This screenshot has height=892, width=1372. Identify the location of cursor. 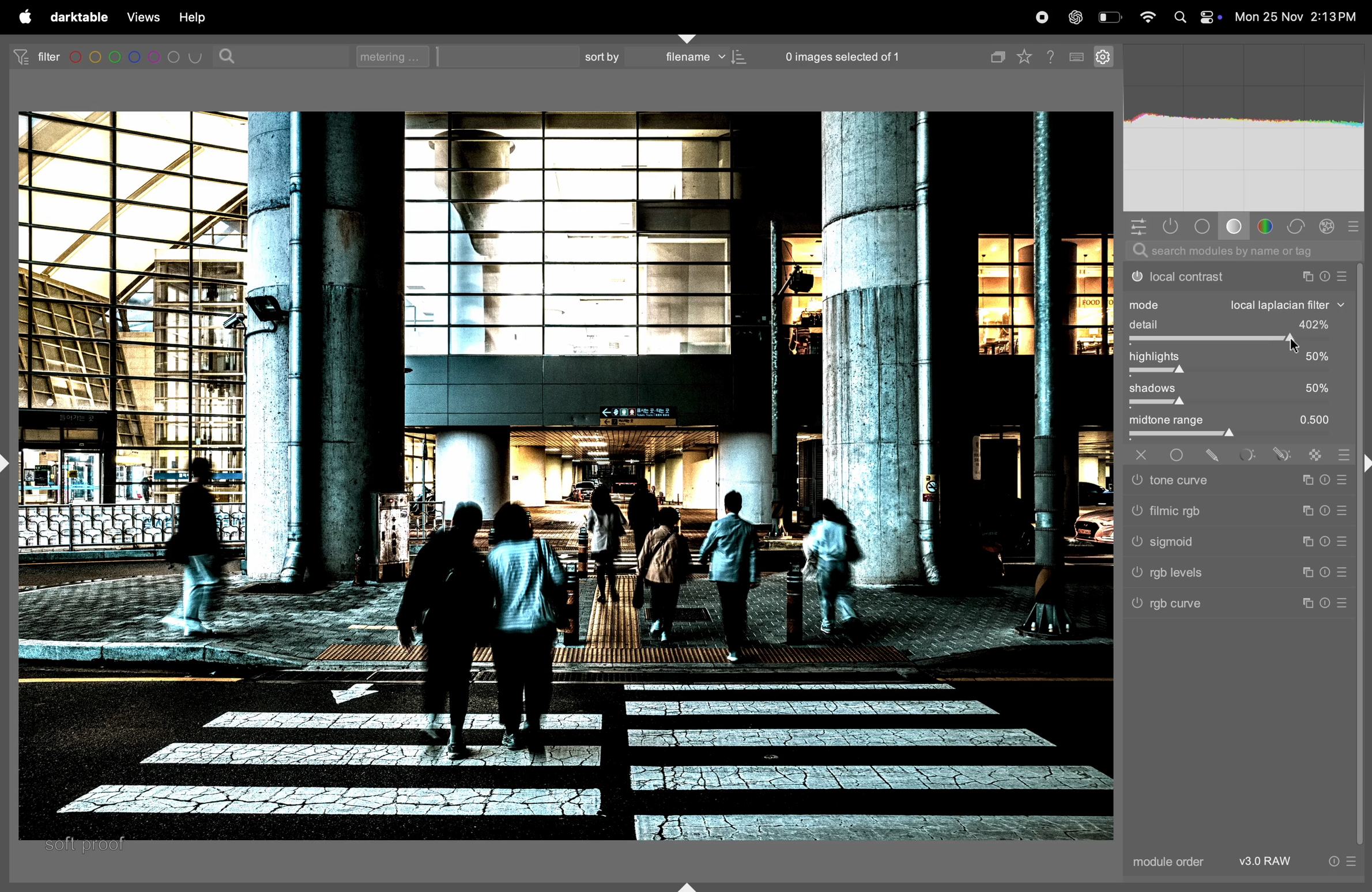
(1299, 345).